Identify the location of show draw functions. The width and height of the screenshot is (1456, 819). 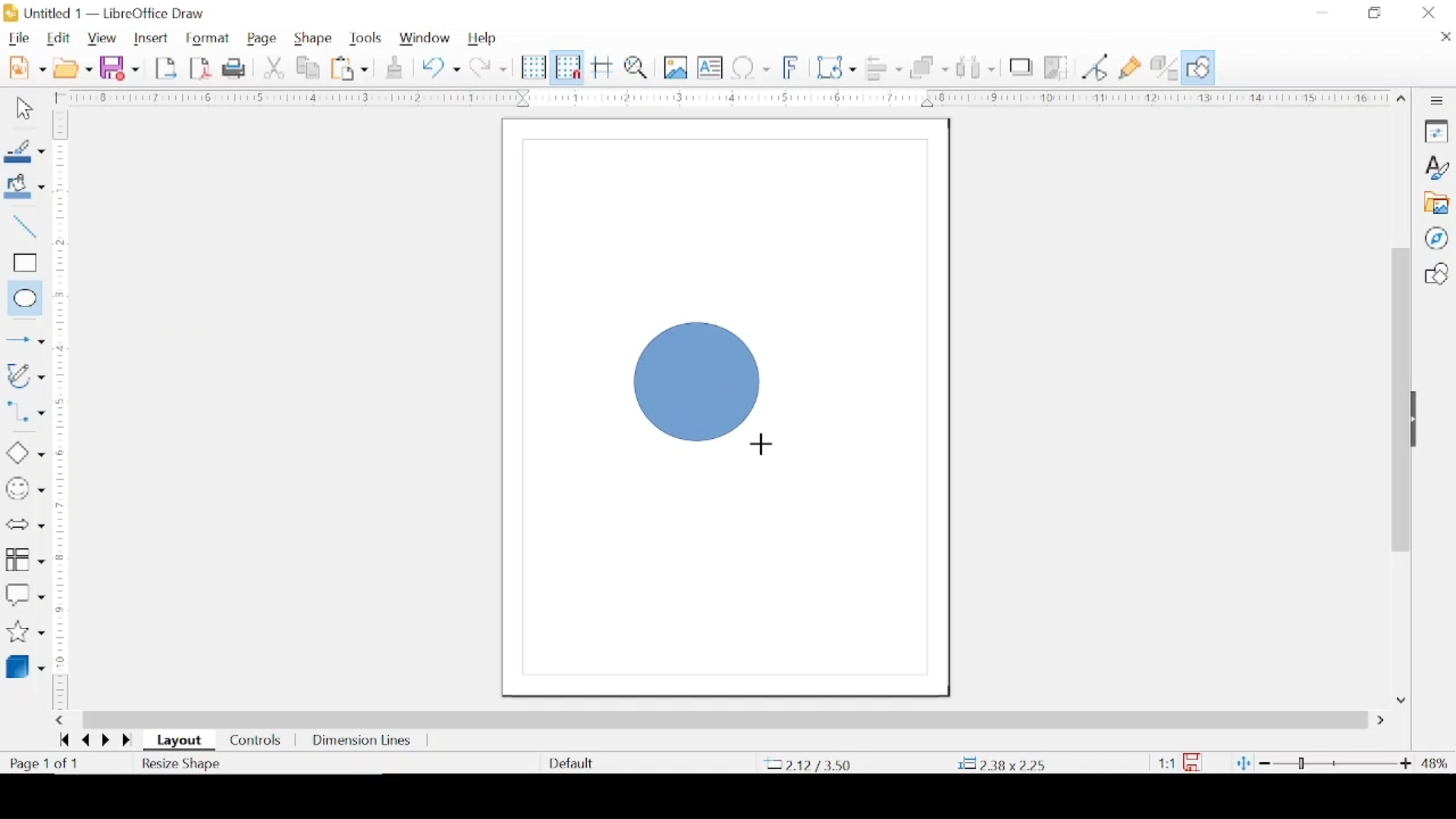
(1200, 67).